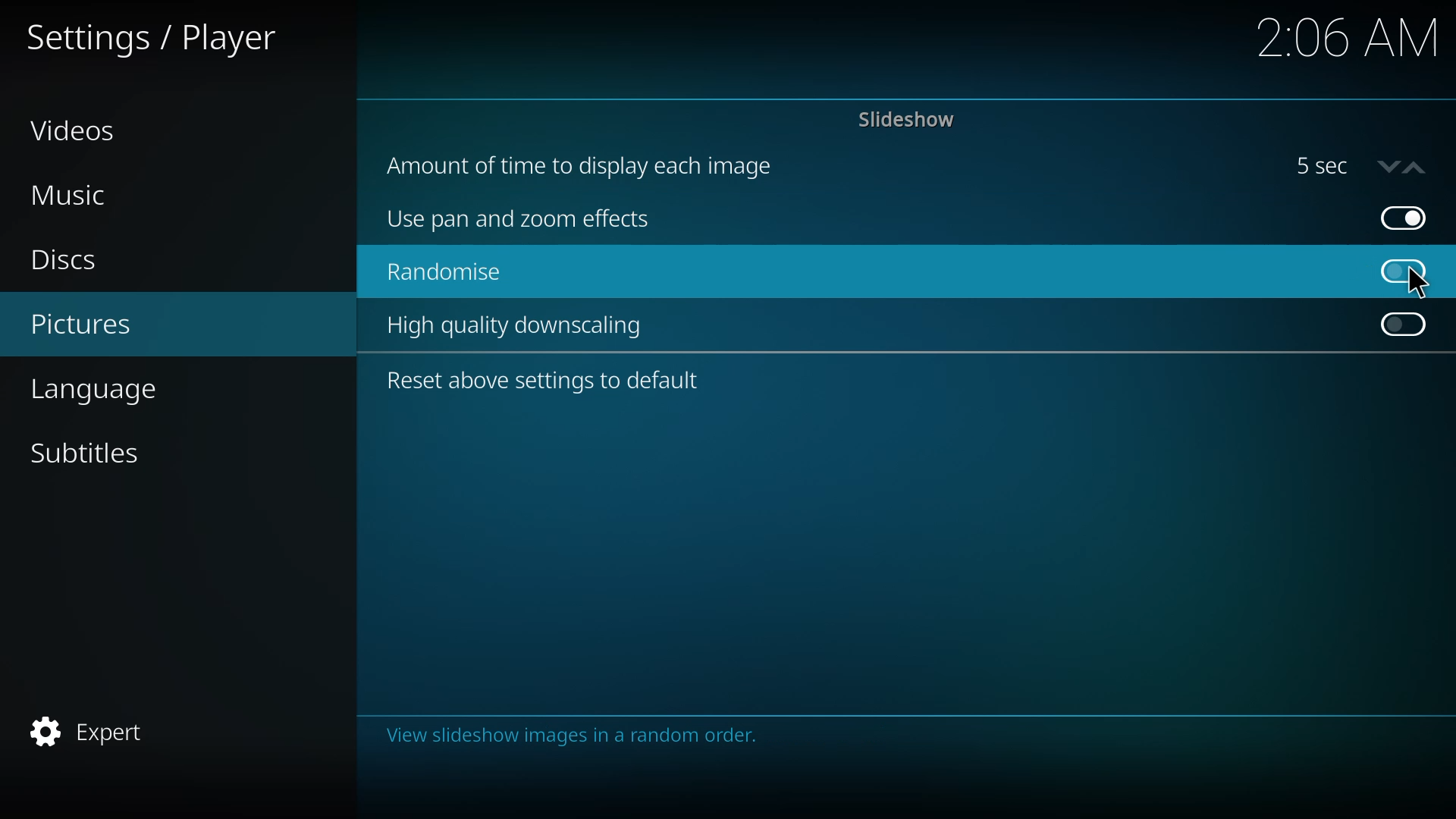  What do you see at coordinates (546, 379) in the screenshot?
I see `reset above settings to default` at bounding box center [546, 379].